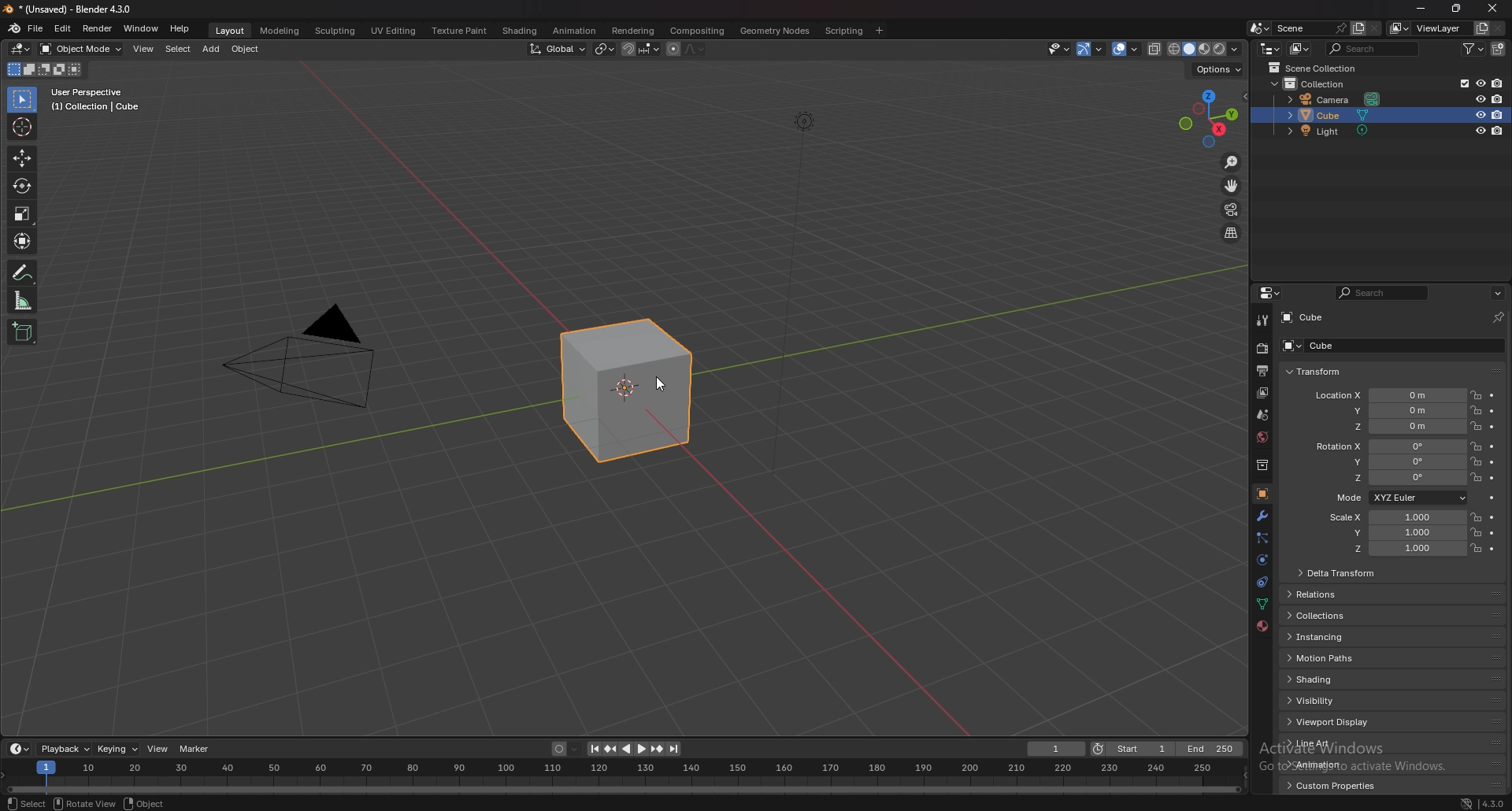  Describe the element at coordinates (1461, 84) in the screenshot. I see `exclude from viewlayer` at that location.